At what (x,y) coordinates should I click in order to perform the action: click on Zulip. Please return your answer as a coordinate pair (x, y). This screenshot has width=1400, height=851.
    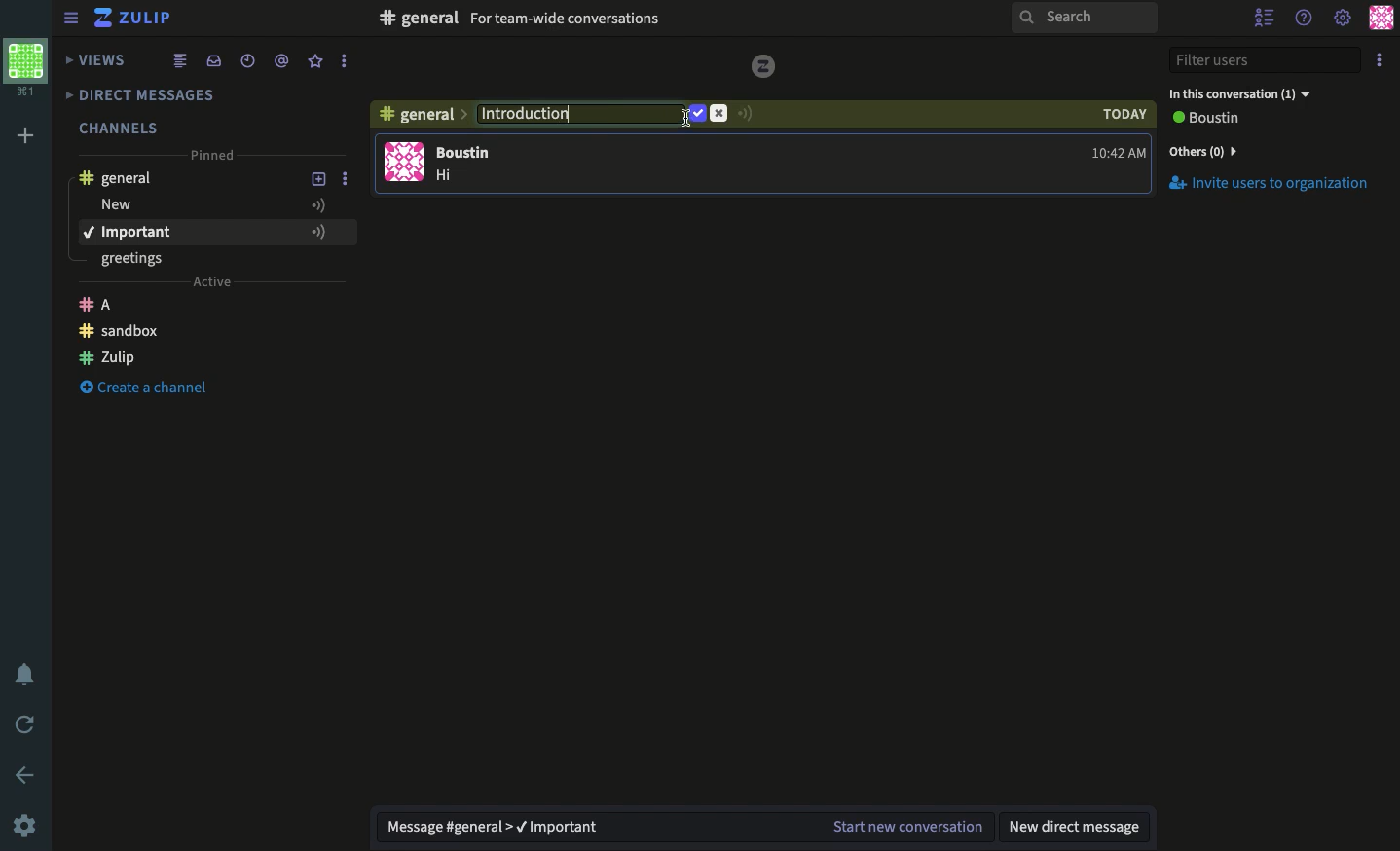
    Looking at the image, I should click on (109, 303).